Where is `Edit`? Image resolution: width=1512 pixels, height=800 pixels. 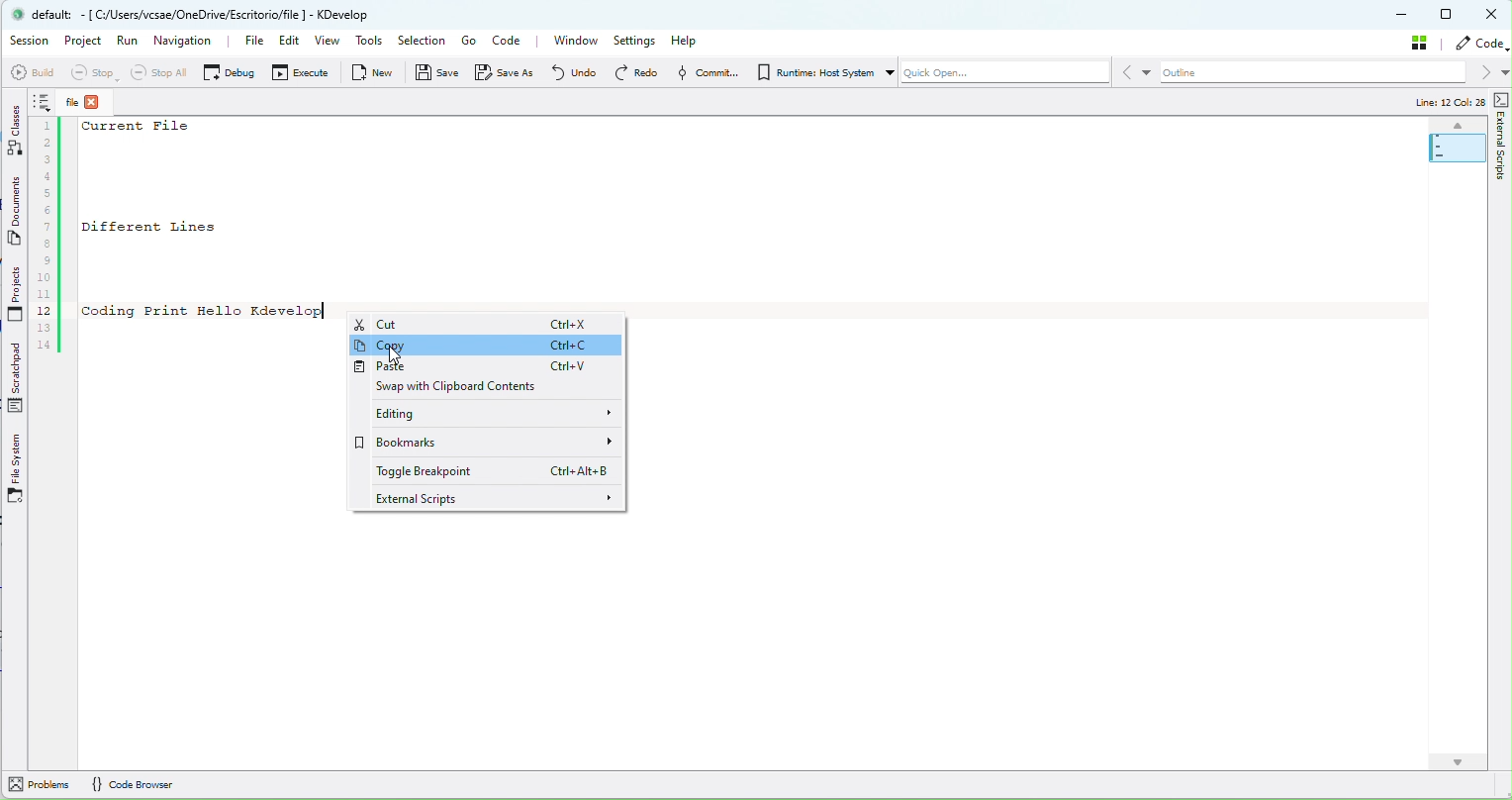
Edit is located at coordinates (285, 44).